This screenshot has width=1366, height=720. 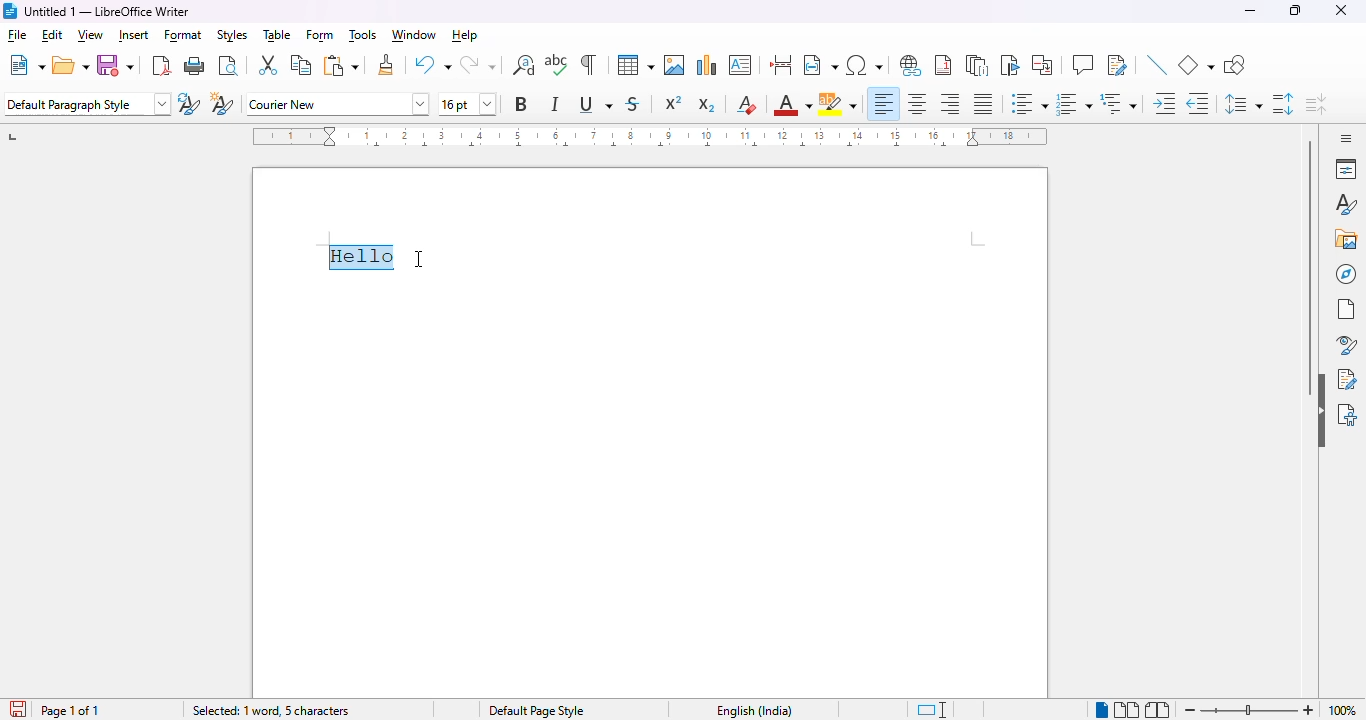 What do you see at coordinates (195, 66) in the screenshot?
I see `print` at bounding box center [195, 66].